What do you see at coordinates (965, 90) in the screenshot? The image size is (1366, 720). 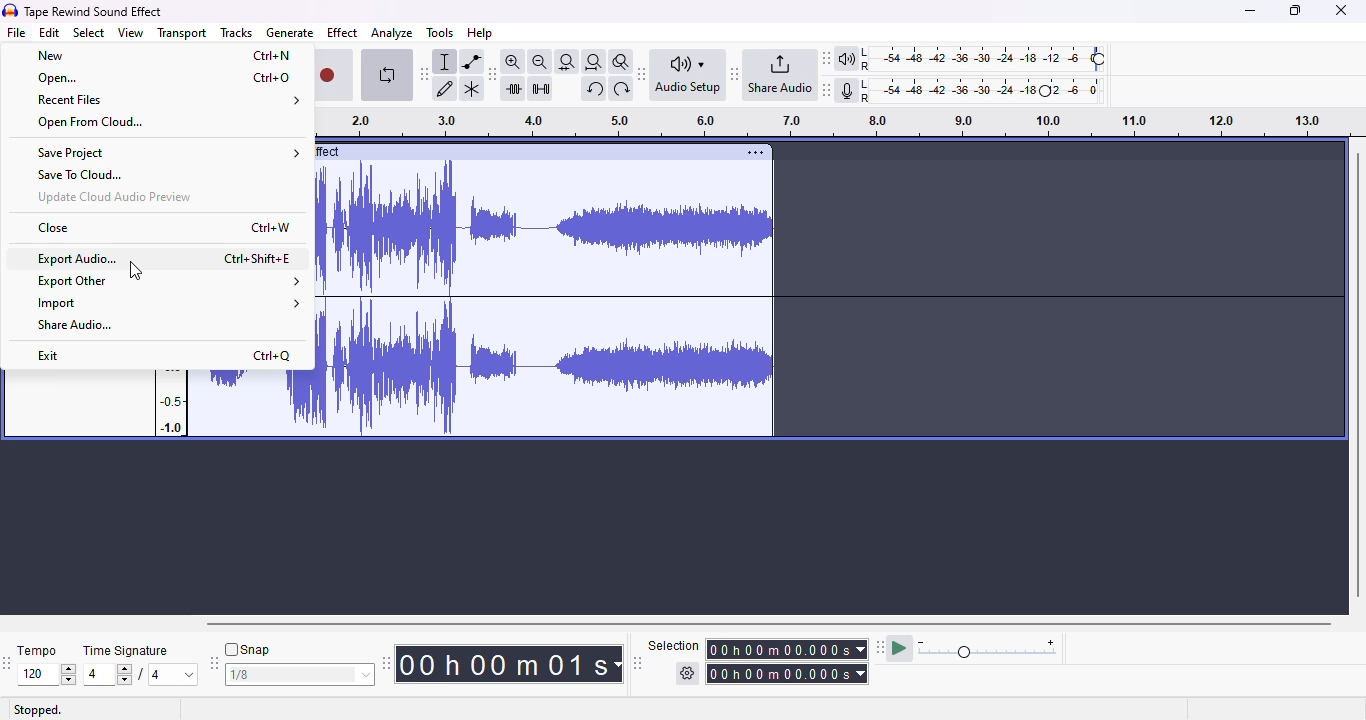 I see `audacity recording meter toolbar` at bounding box center [965, 90].